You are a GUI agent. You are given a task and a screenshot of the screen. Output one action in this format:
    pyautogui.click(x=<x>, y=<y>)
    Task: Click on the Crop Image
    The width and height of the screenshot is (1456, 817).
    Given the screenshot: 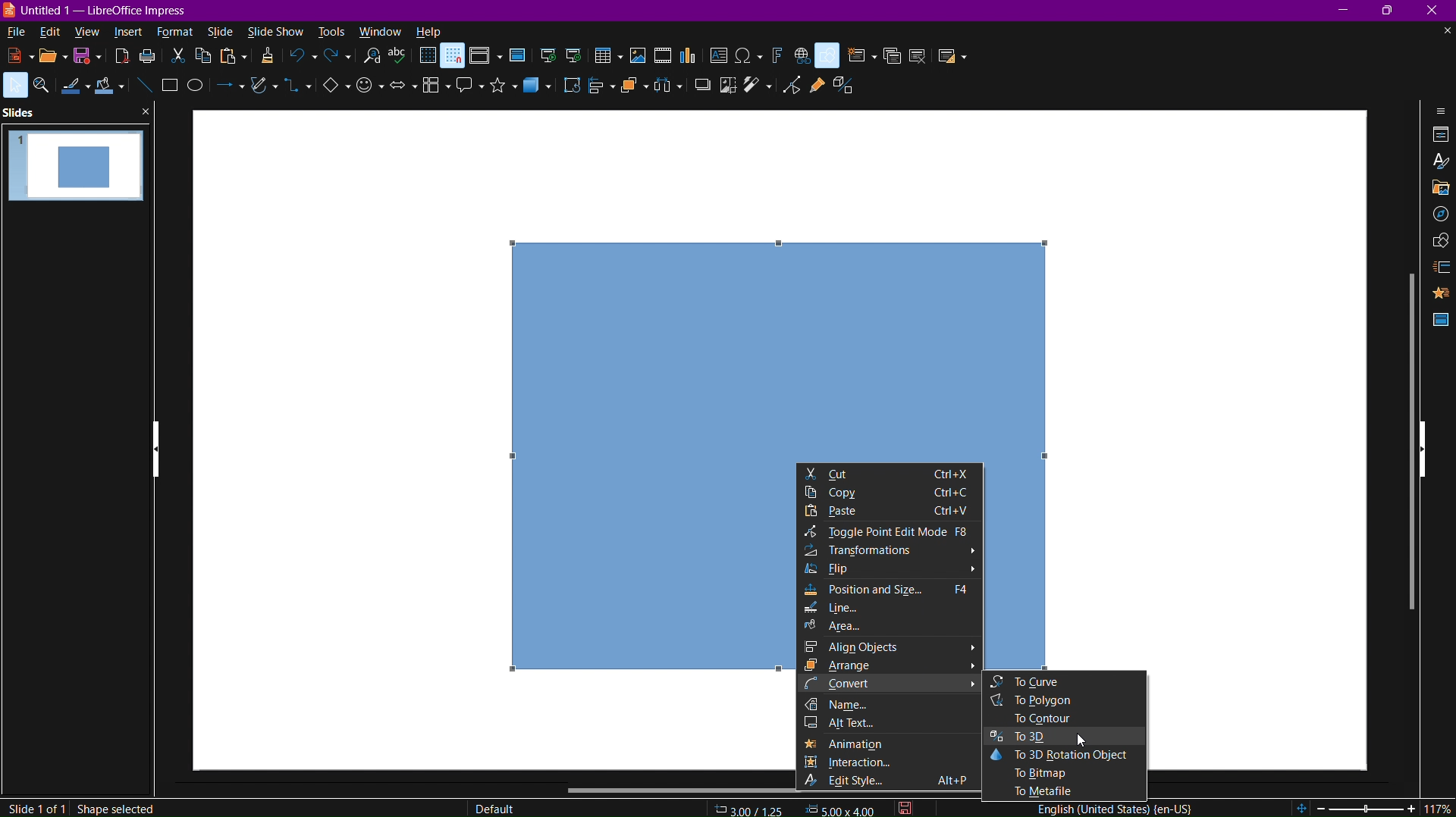 What is the action you would take?
    pyautogui.click(x=725, y=89)
    